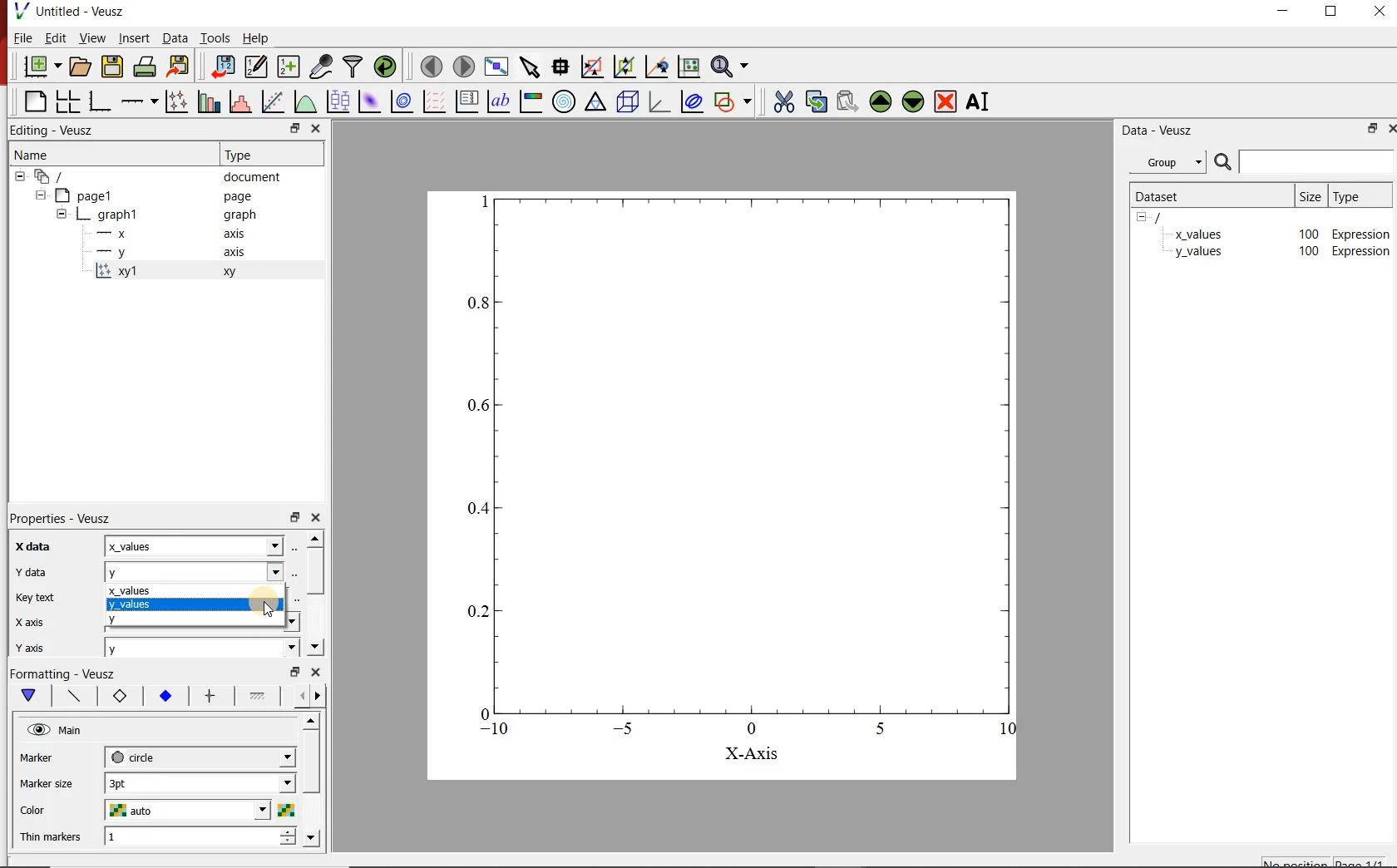 The width and height of the screenshot is (1397, 868). What do you see at coordinates (93, 37) in the screenshot?
I see `view` at bounding box center [93, 37].